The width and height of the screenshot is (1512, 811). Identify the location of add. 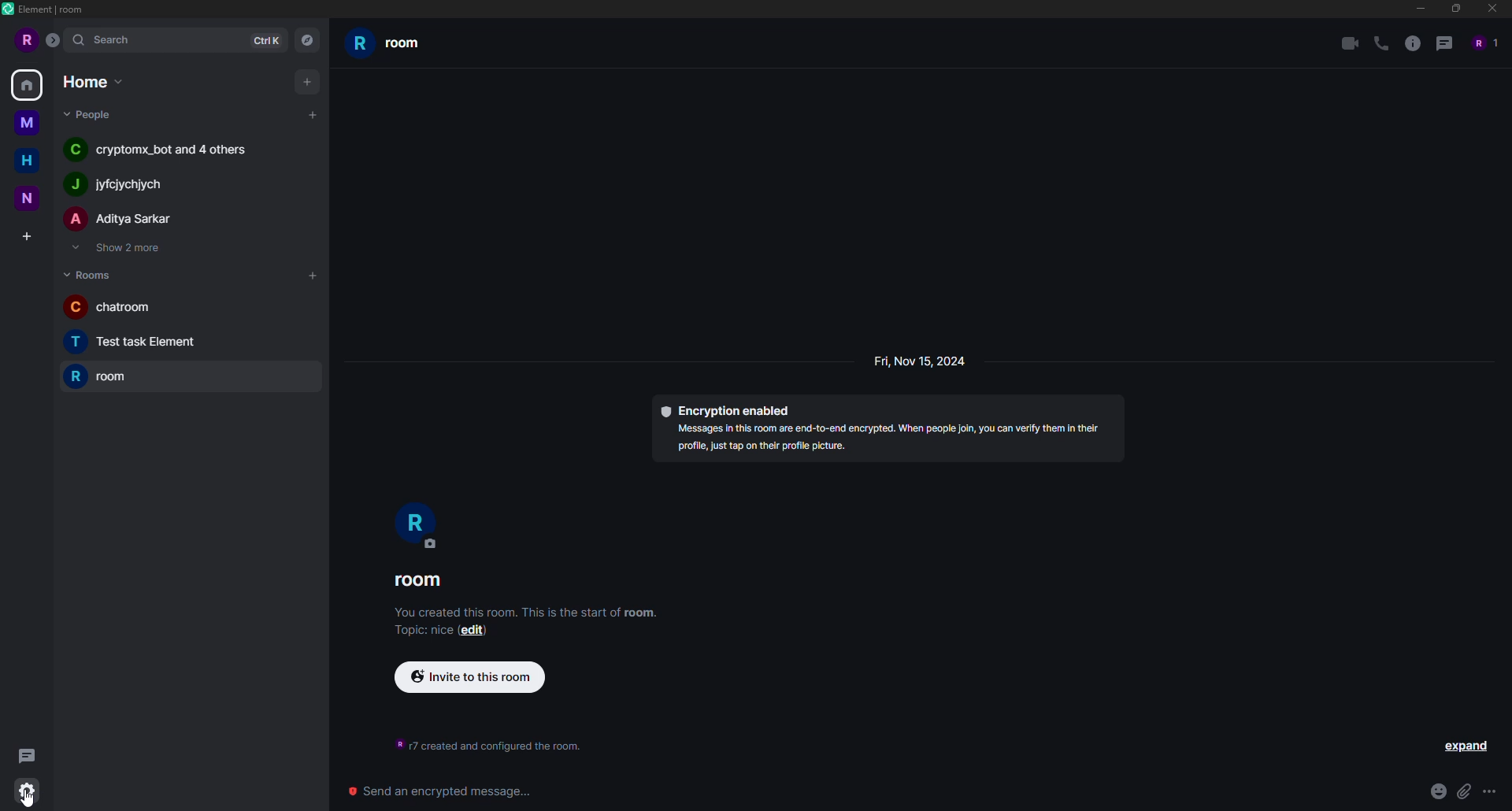
(313, 276).